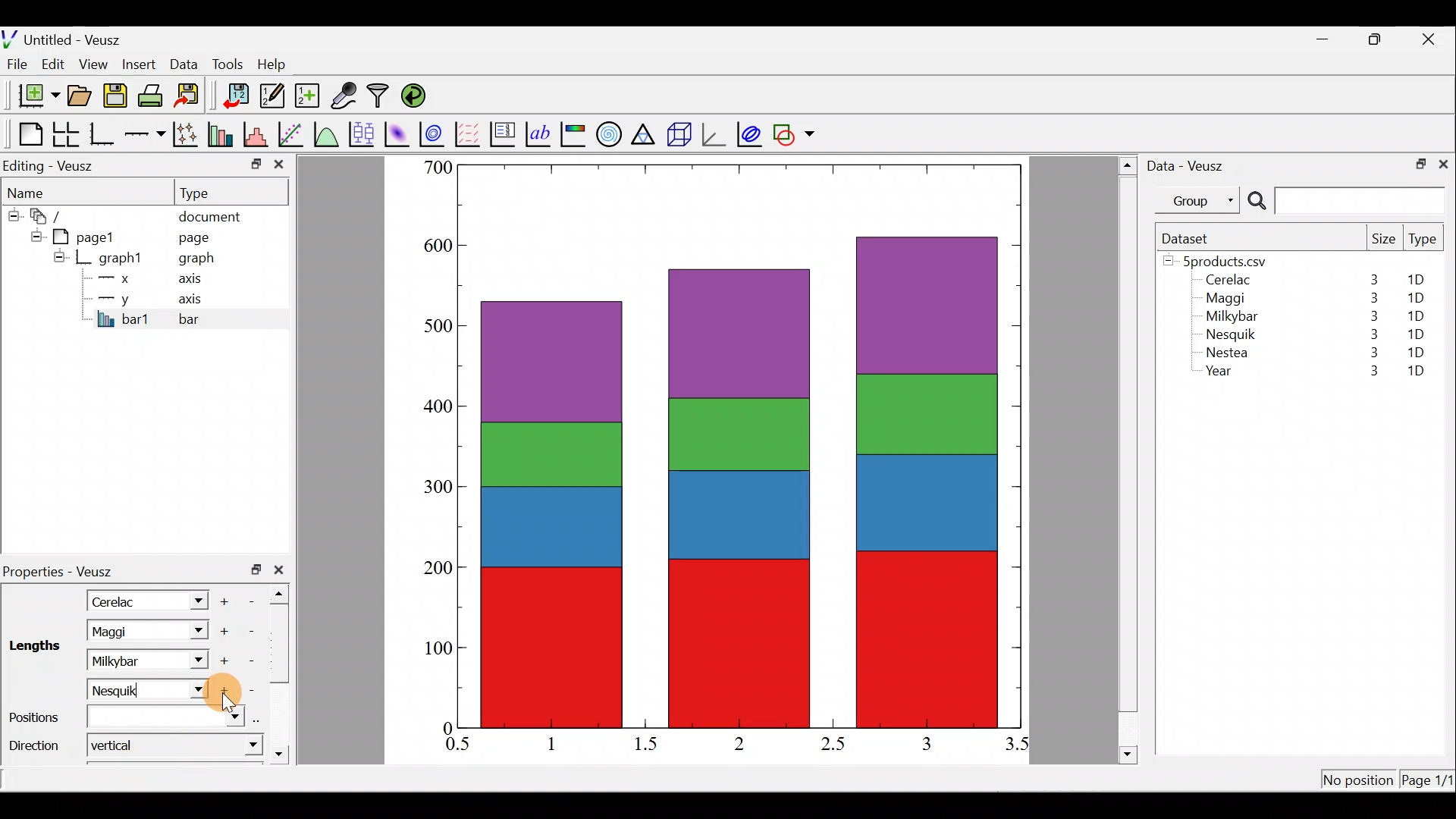  Describe the element at coordinates (279, 168) in the screenshot. I see `close` at that location.